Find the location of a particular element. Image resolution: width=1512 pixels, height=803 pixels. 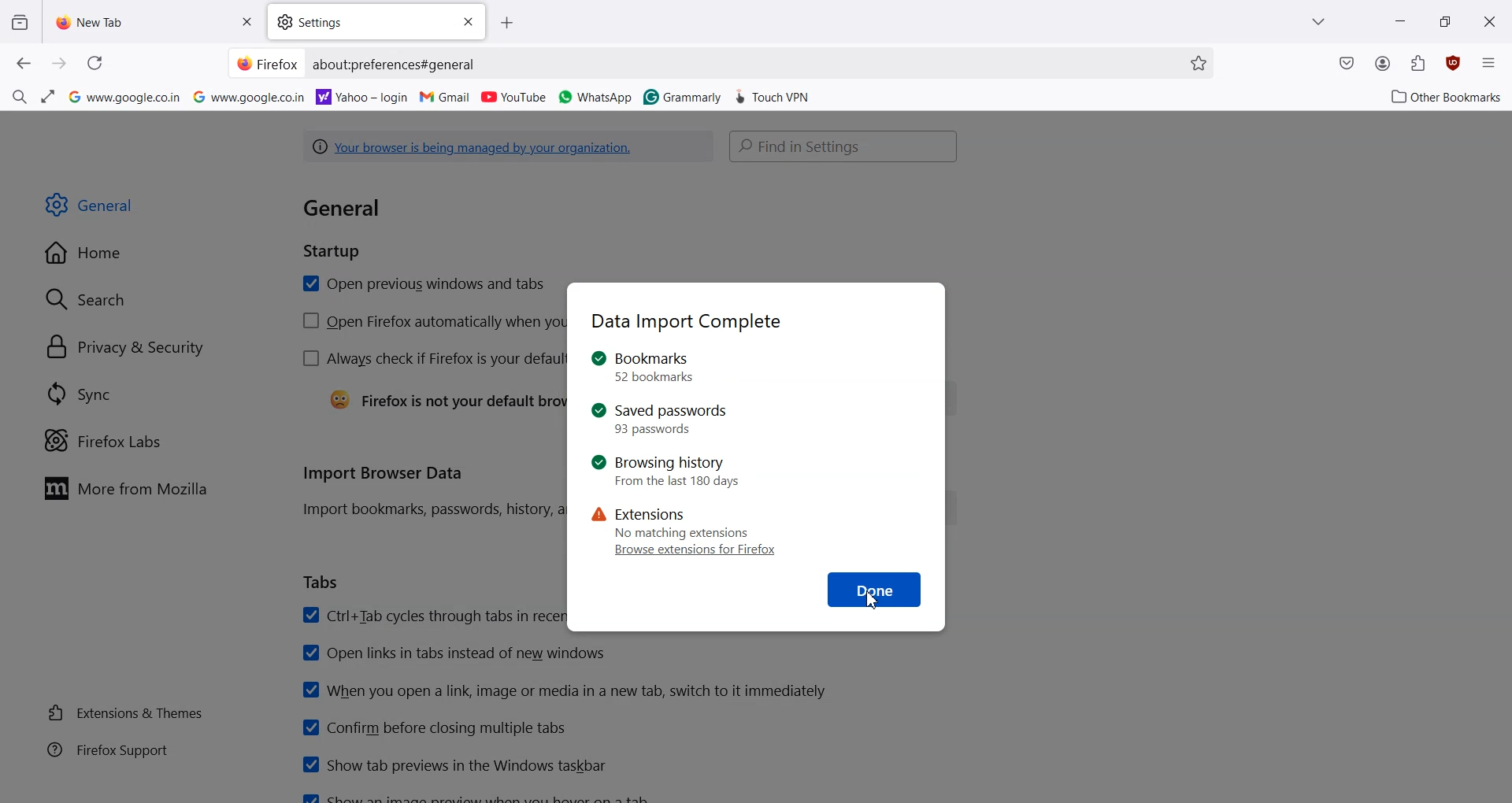

Extensions is located at coordinates (1418, 63).